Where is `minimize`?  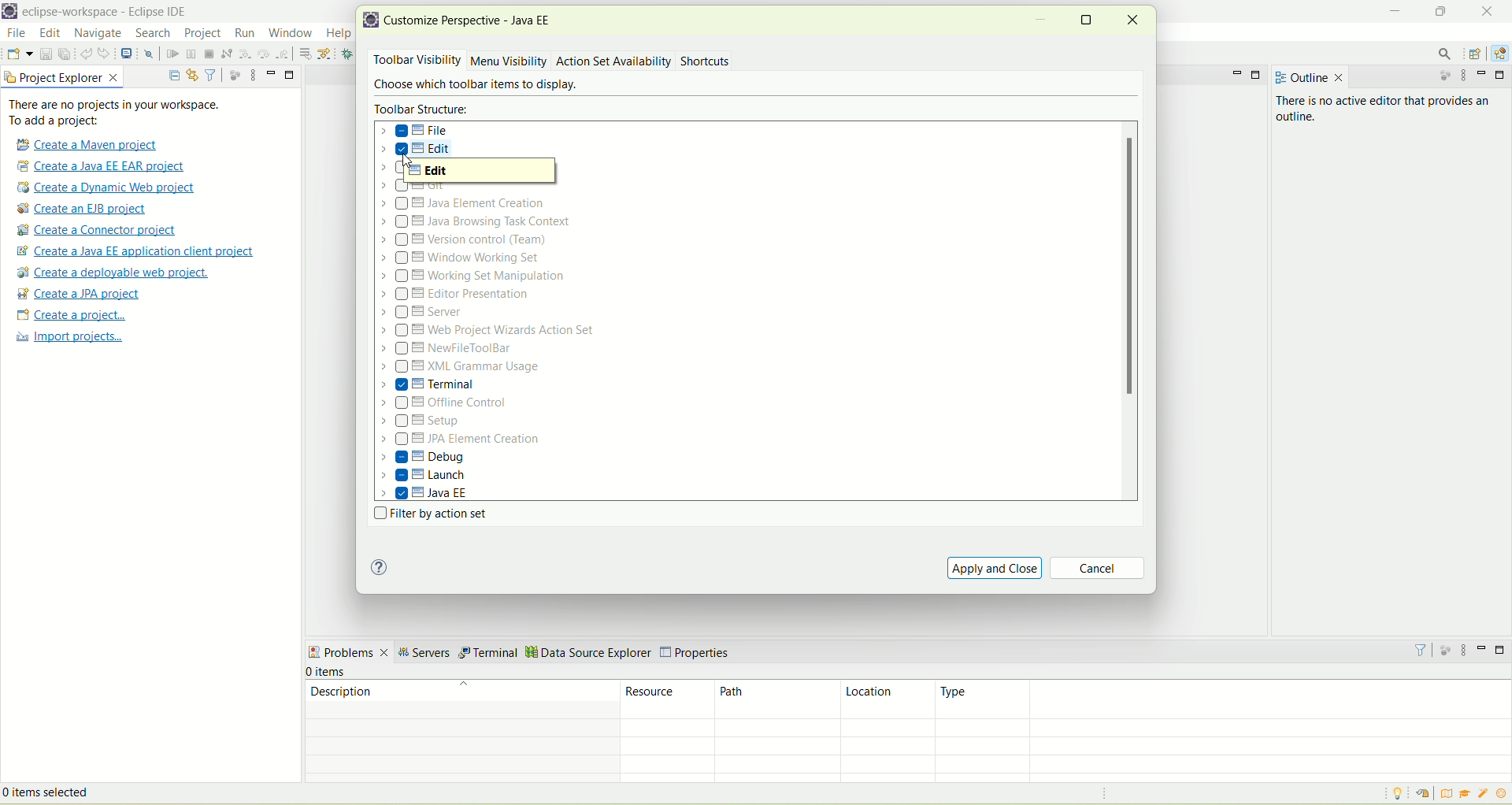 minimize is located at coordinates (1484, 76).